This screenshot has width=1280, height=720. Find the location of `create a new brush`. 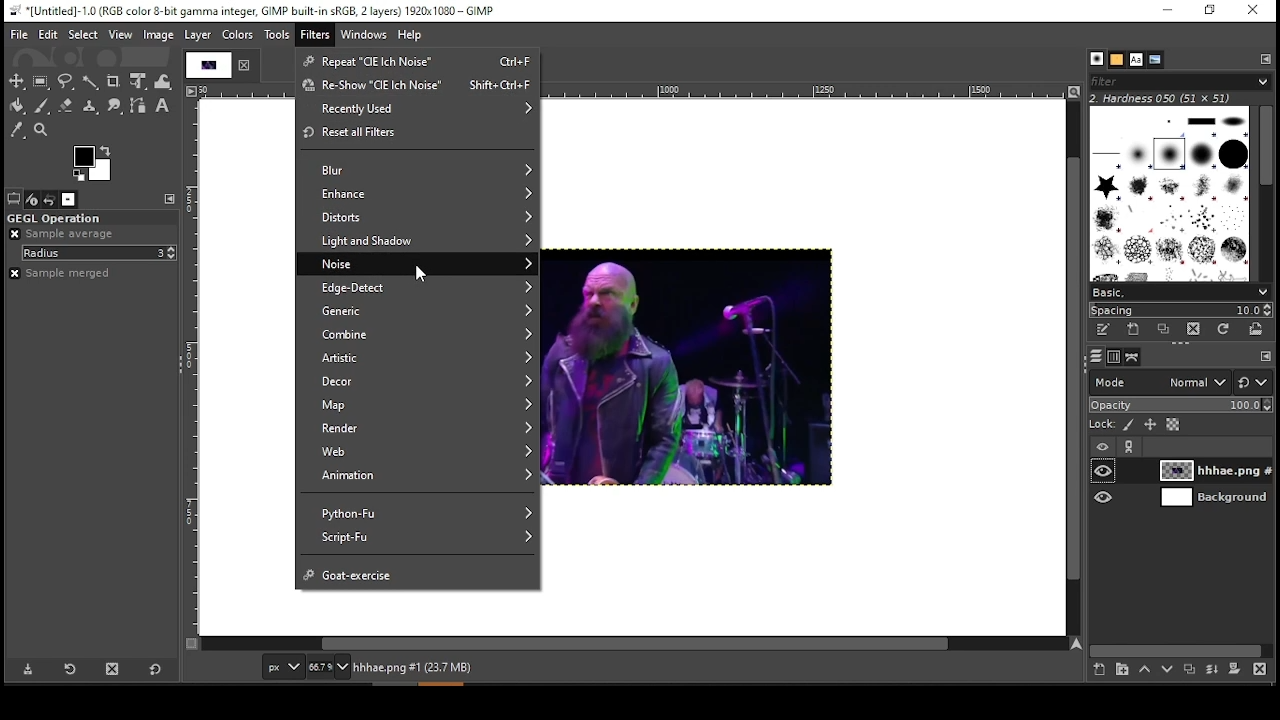

create a new brush is located at coordinates (1137, 331).